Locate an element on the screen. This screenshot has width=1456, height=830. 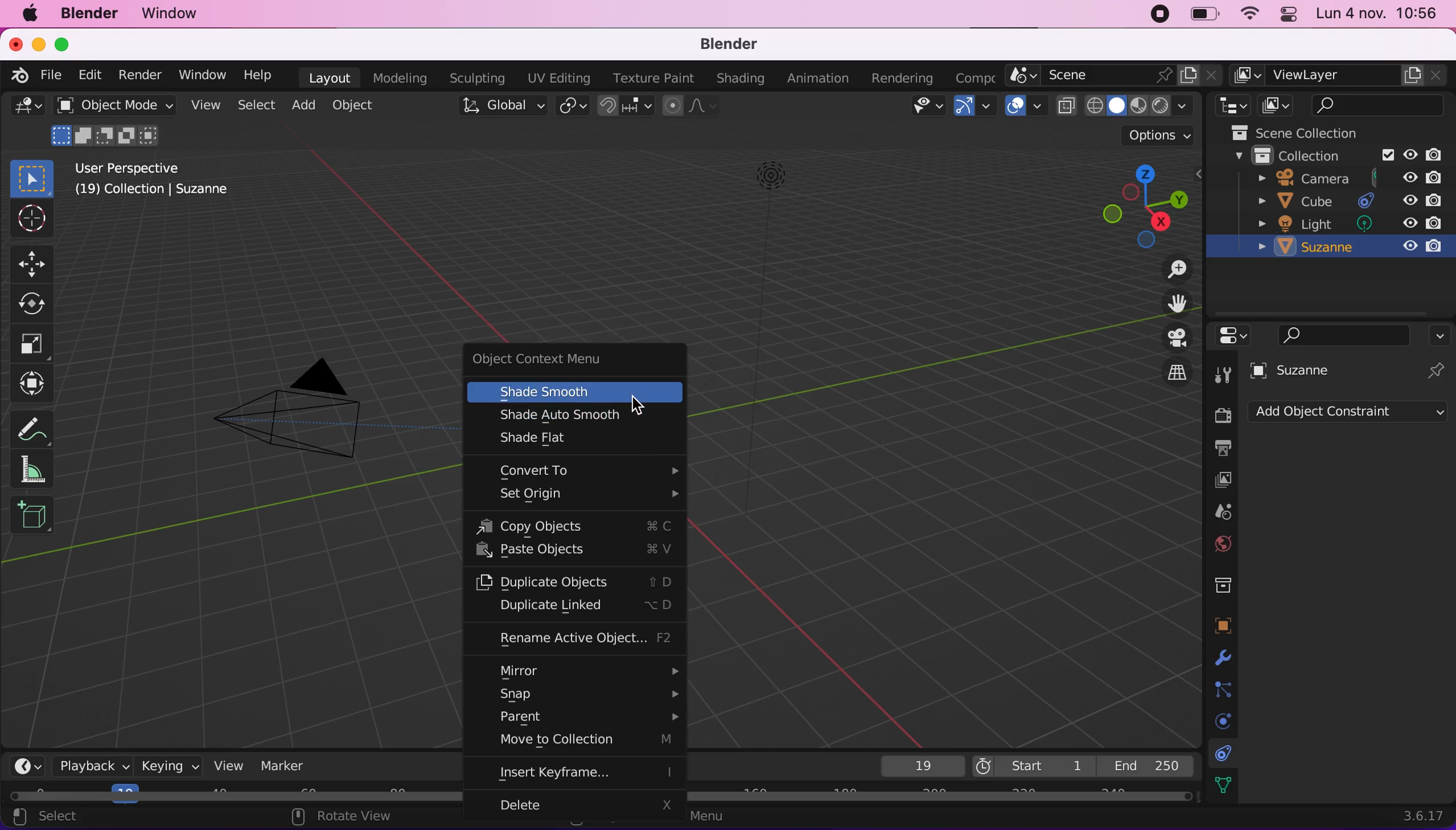
set origin is located at coordinates (580, 495).